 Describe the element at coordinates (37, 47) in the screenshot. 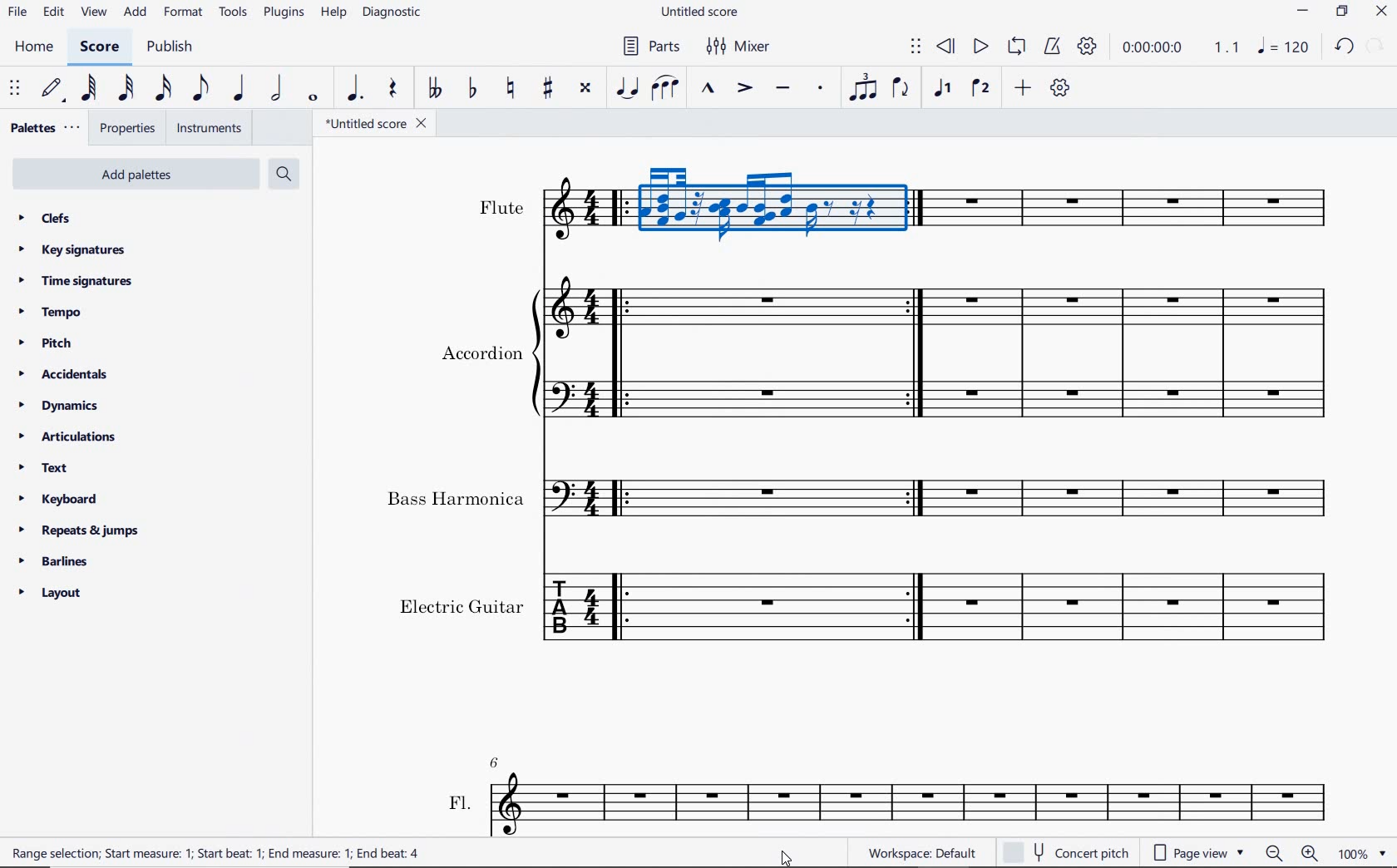

I see `home` at that location.